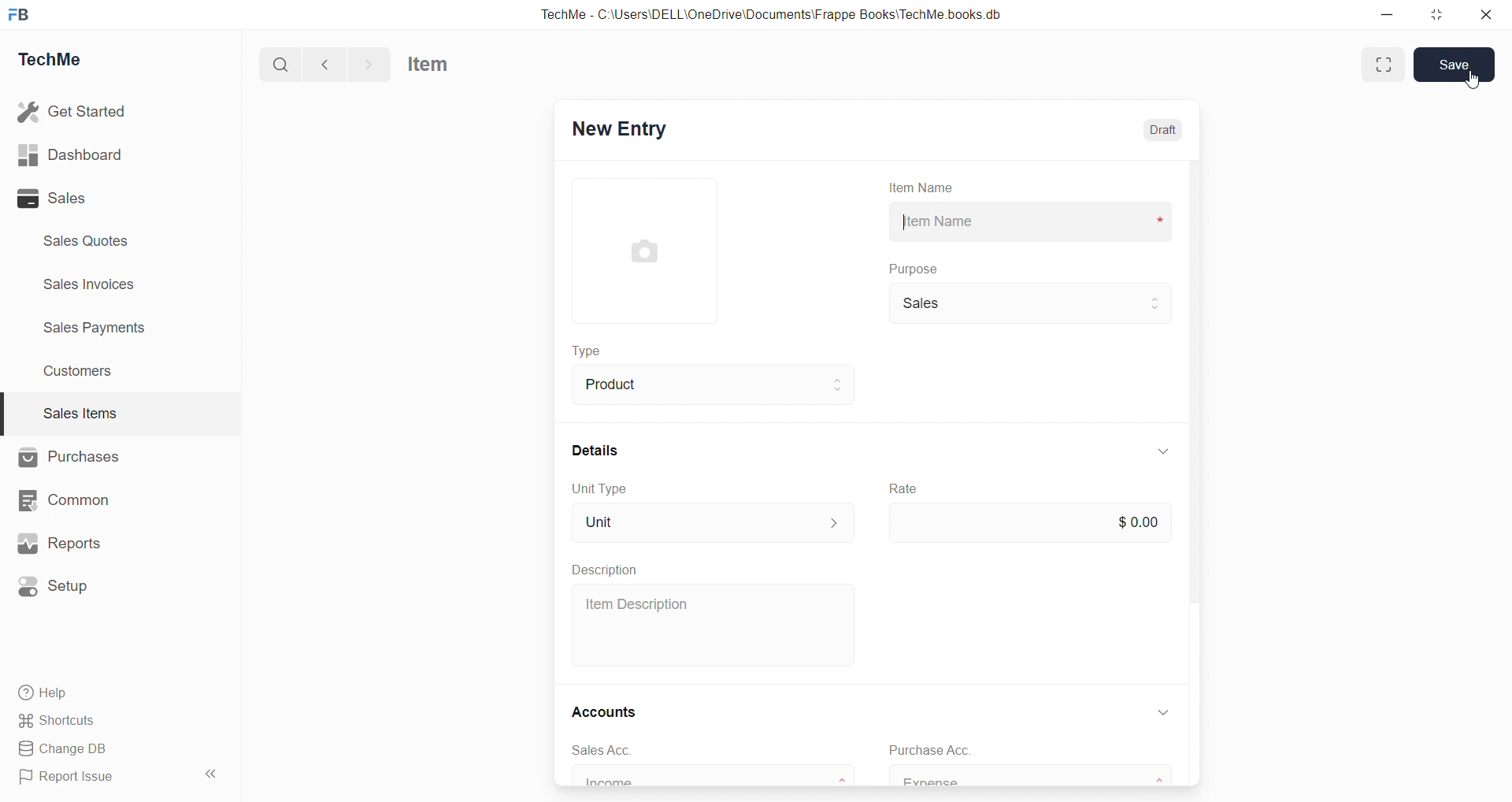  Describe the element at coordinates (1436, 15) in the screenshot. I see `resize` at that location.